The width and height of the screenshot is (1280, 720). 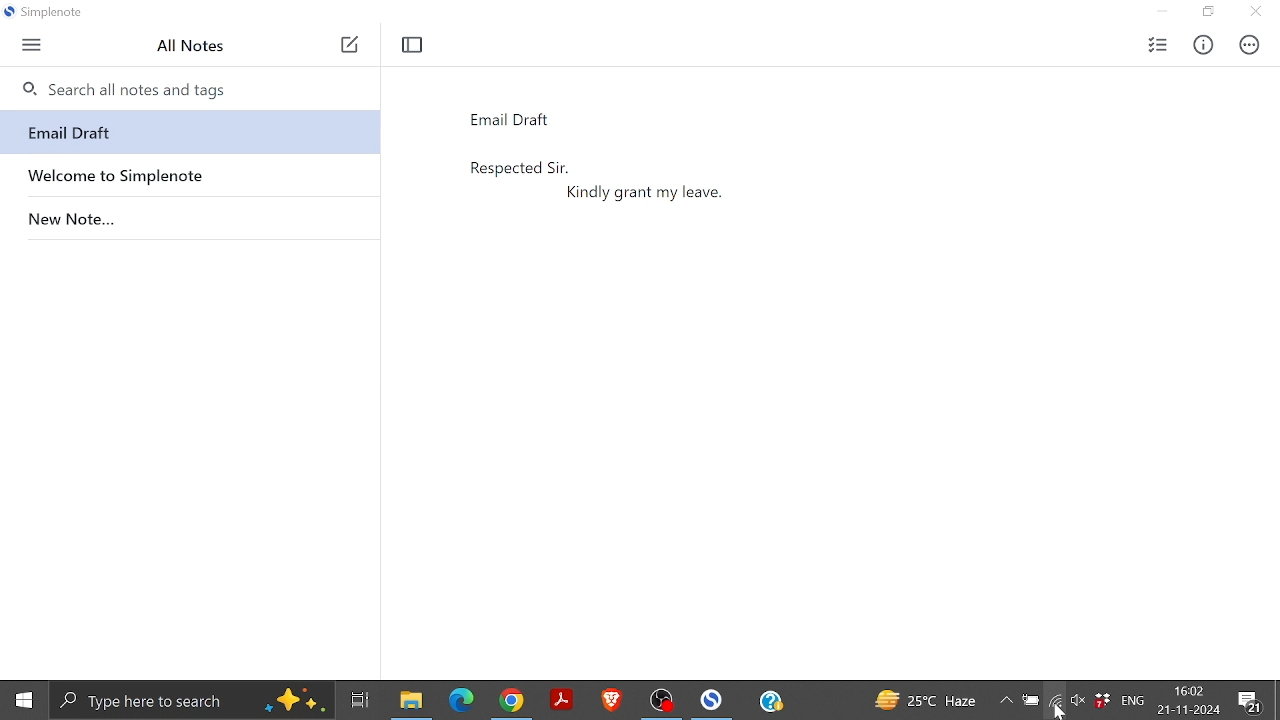 I want to click on All notes, so click(x=197, y=46).